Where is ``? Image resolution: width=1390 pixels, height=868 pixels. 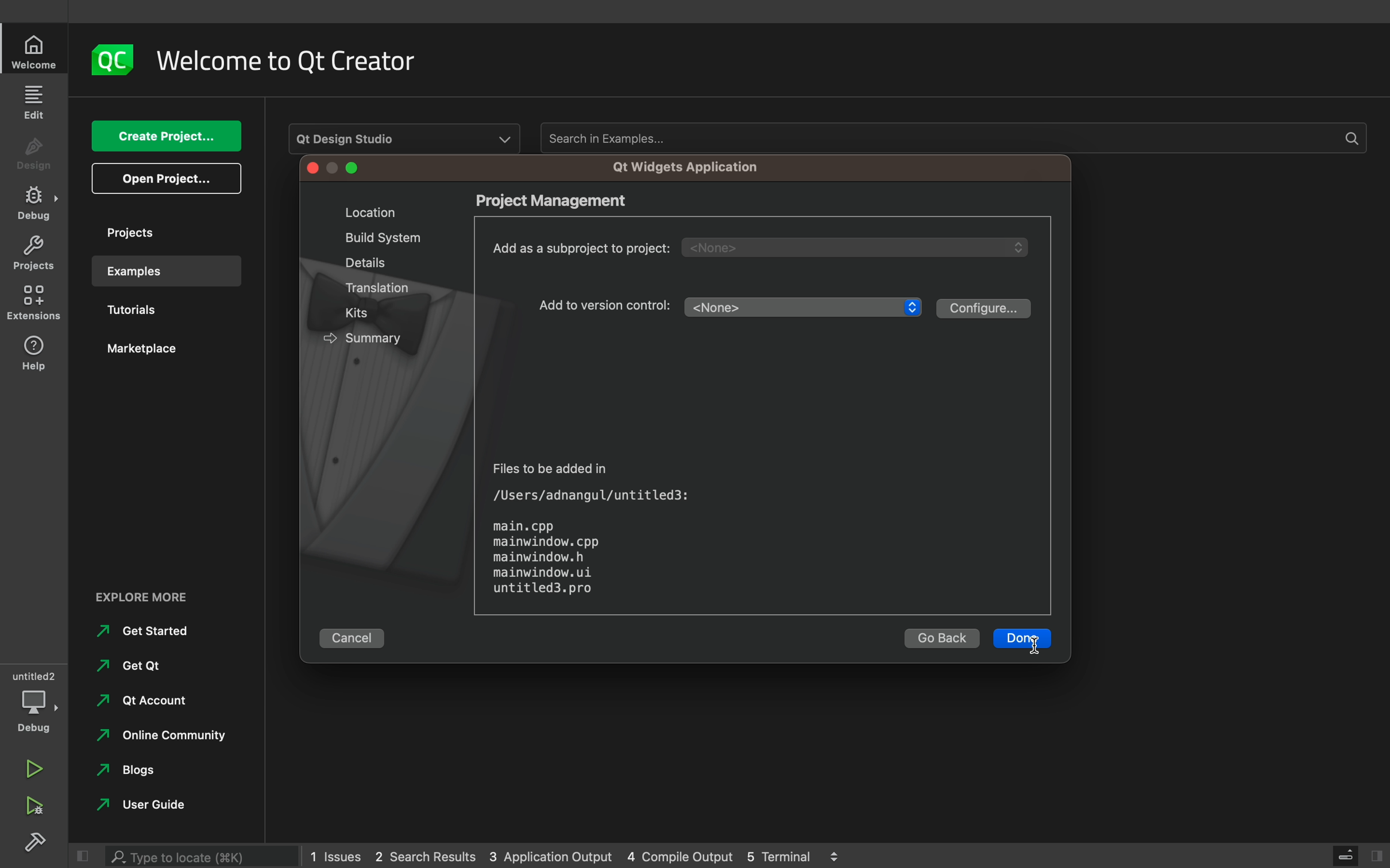
 is located at coordinates (1360, 855).